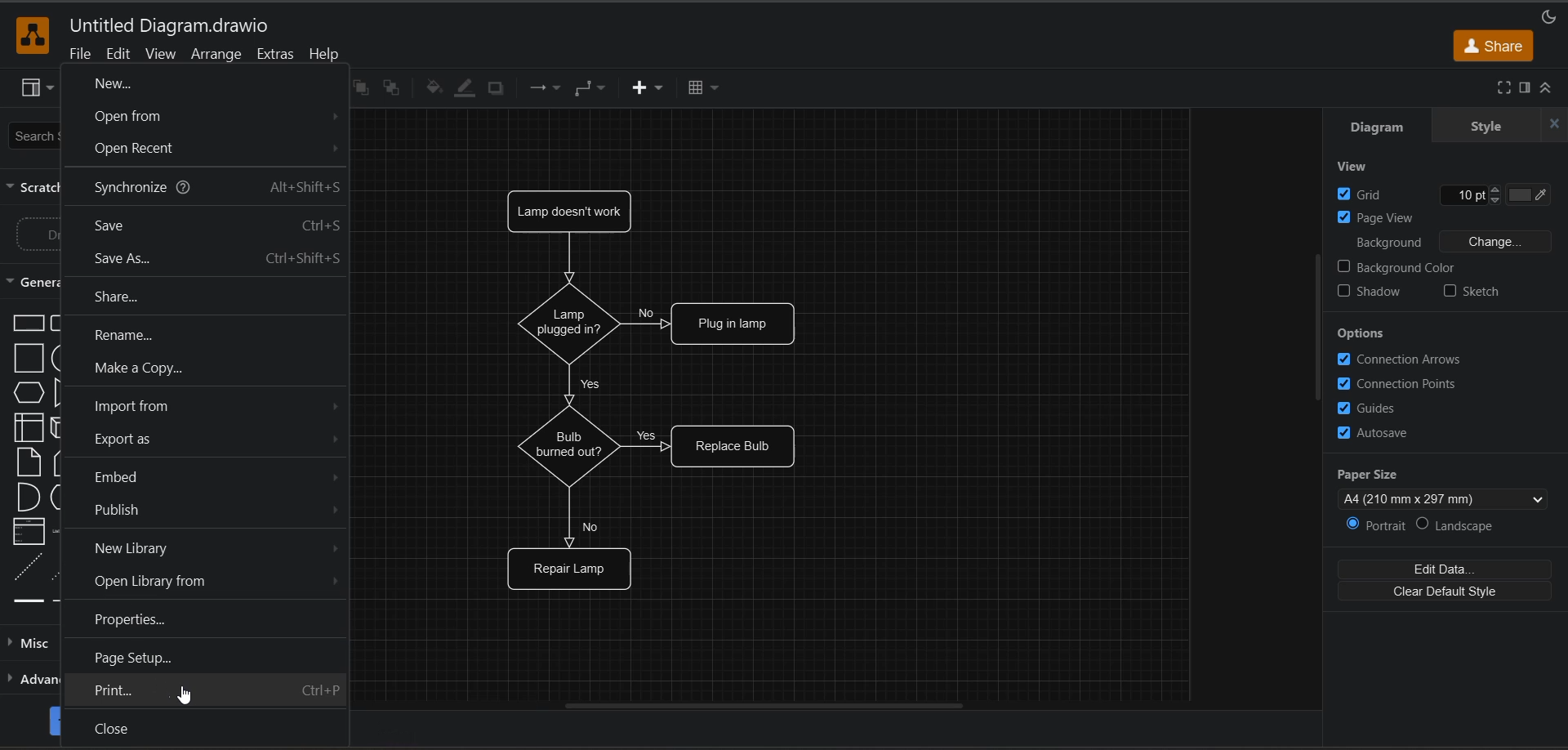 This screenshot has height=750, width=1568. What do you see at coordinates (224, 259) in the screenshot?
I see `save as` at bounding box center [224, 259].